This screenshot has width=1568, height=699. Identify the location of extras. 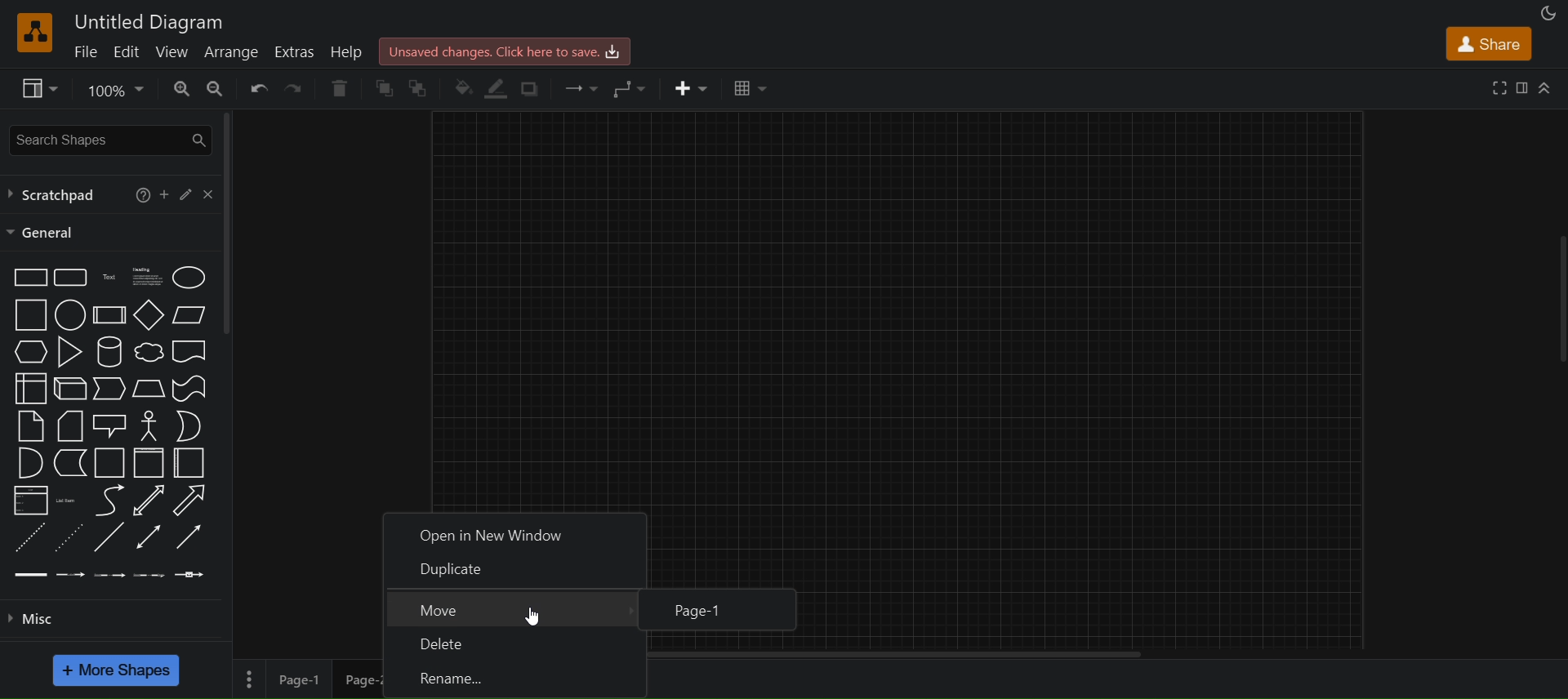
(295, 52).